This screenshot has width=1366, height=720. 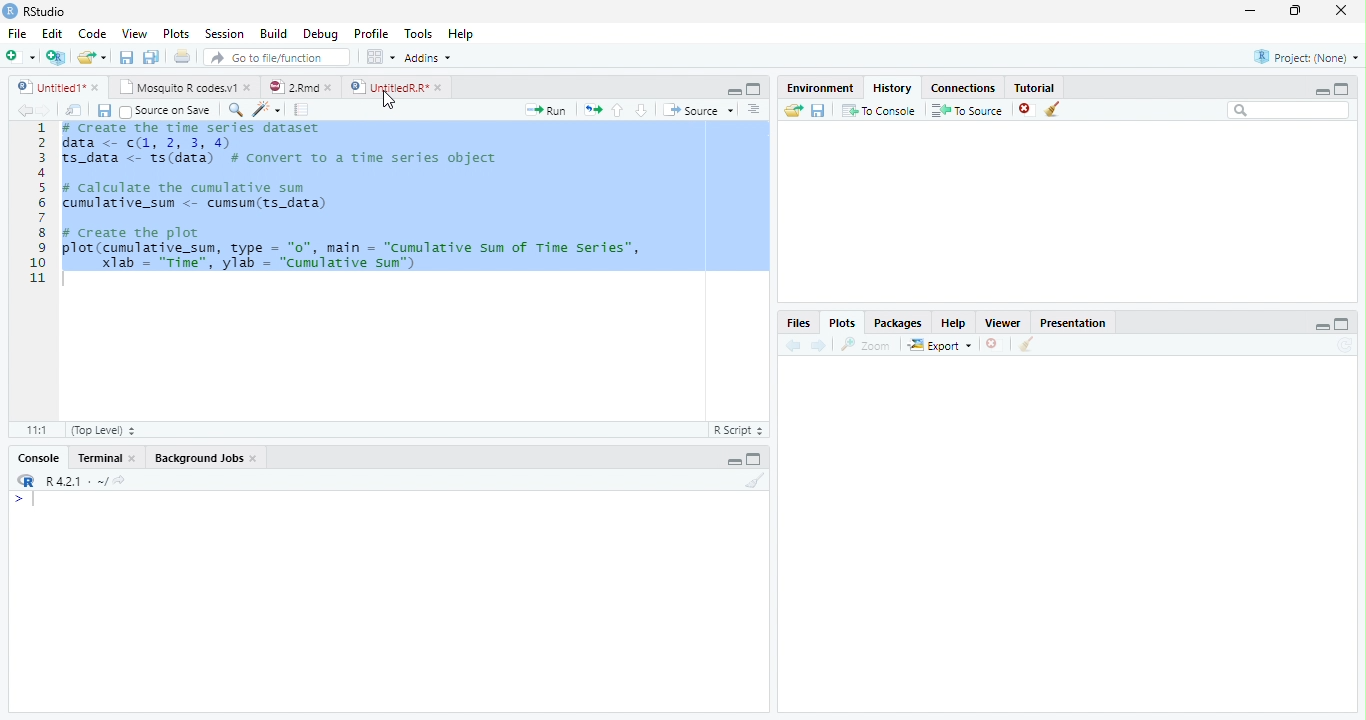 What do you see at coordinates (1336, 12) in the screenshot?
I see `Close` at bounding box center [1336, 12].